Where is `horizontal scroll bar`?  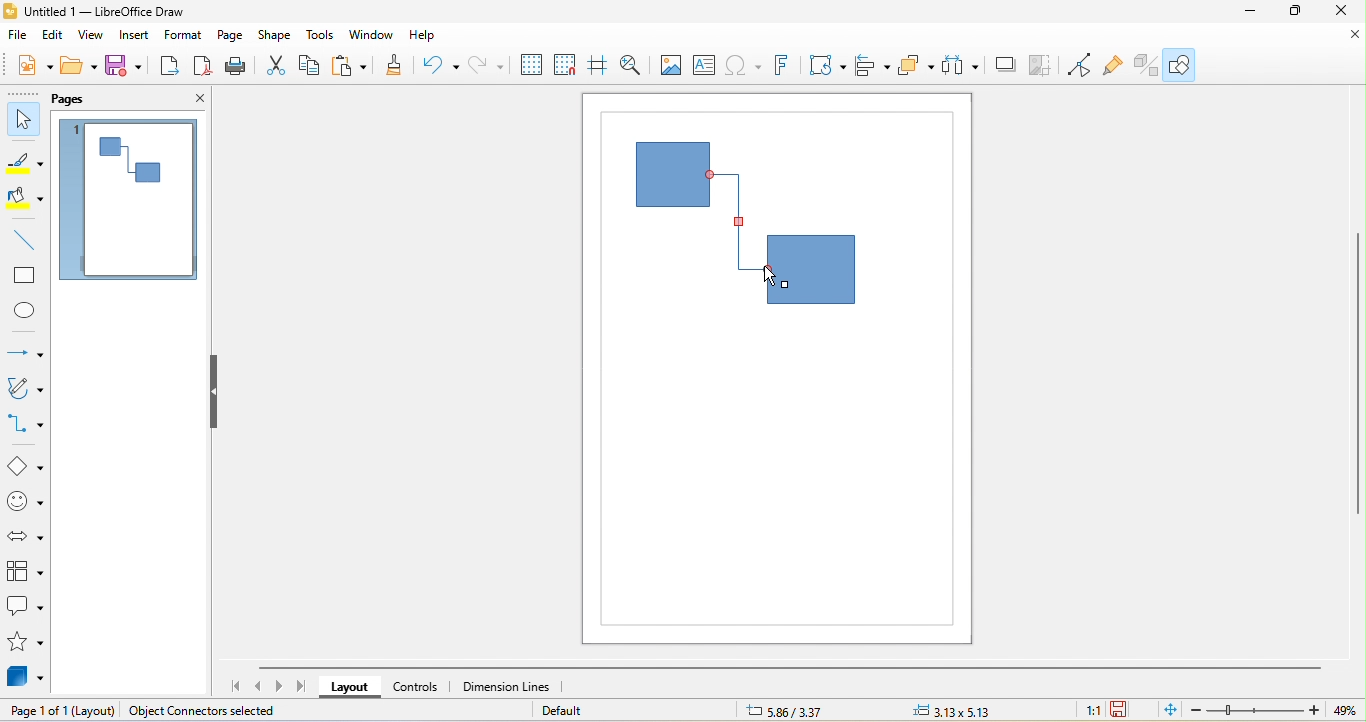 horizontal scroll bar is located at coordinates (788, 670).